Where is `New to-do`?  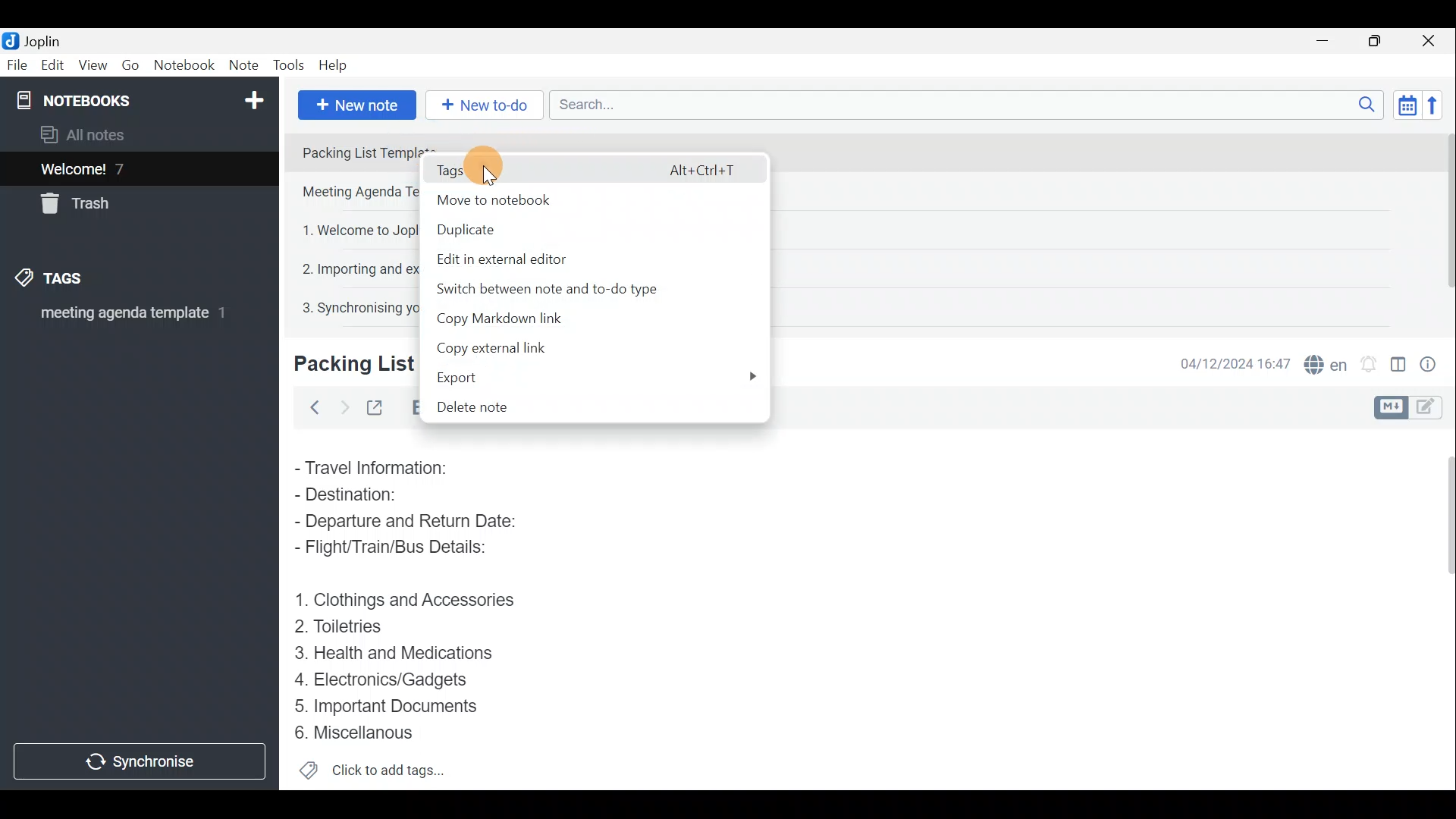
New to-do is located at coordinates (485, 105).